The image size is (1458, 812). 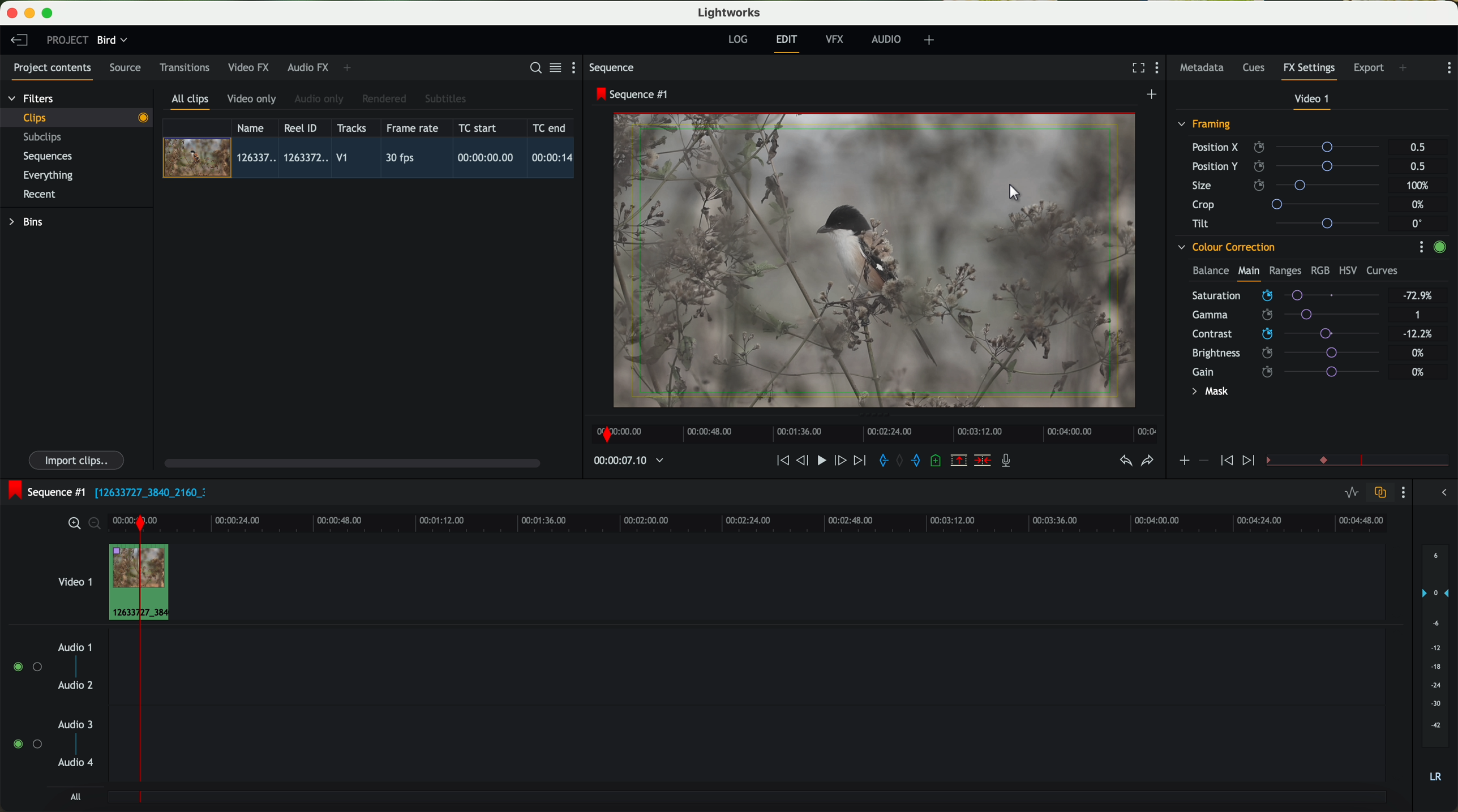 I want to click on add panel, so click(x=1406, y=69).